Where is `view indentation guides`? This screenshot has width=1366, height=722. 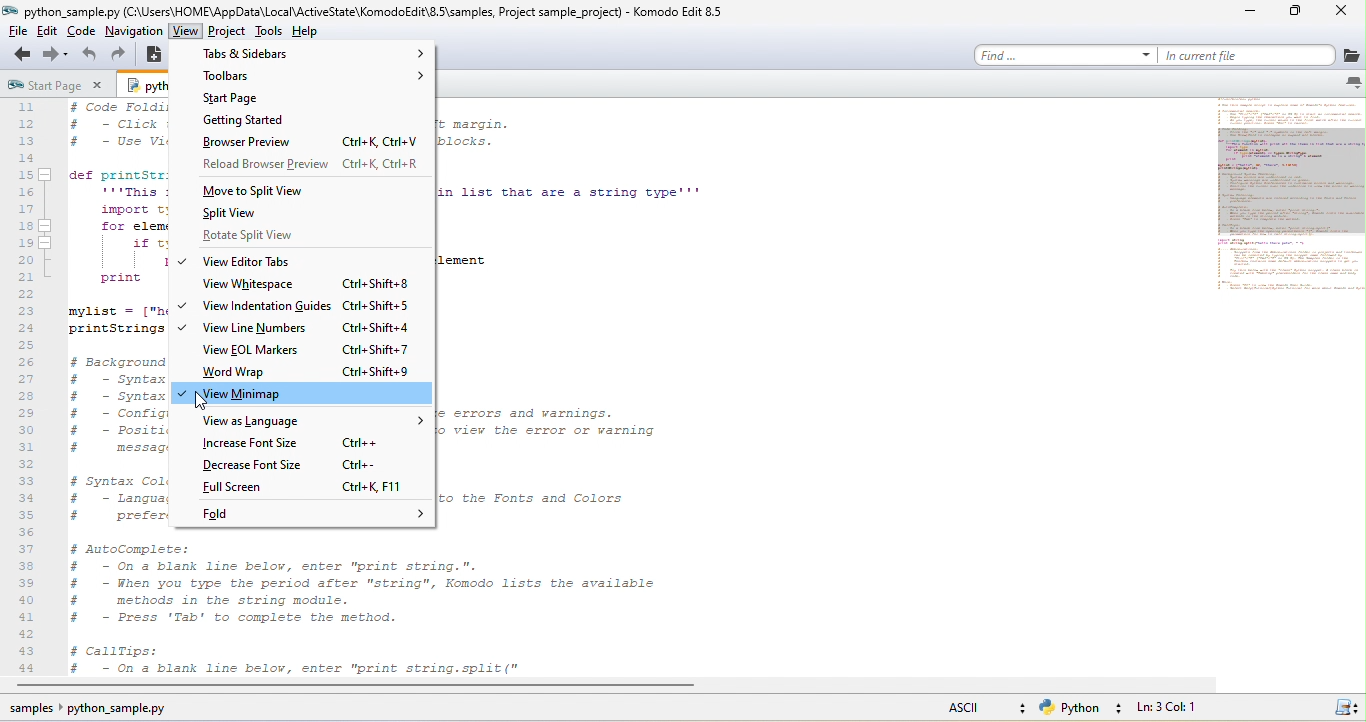 view indentation guides is located at coordinates (295, 306).